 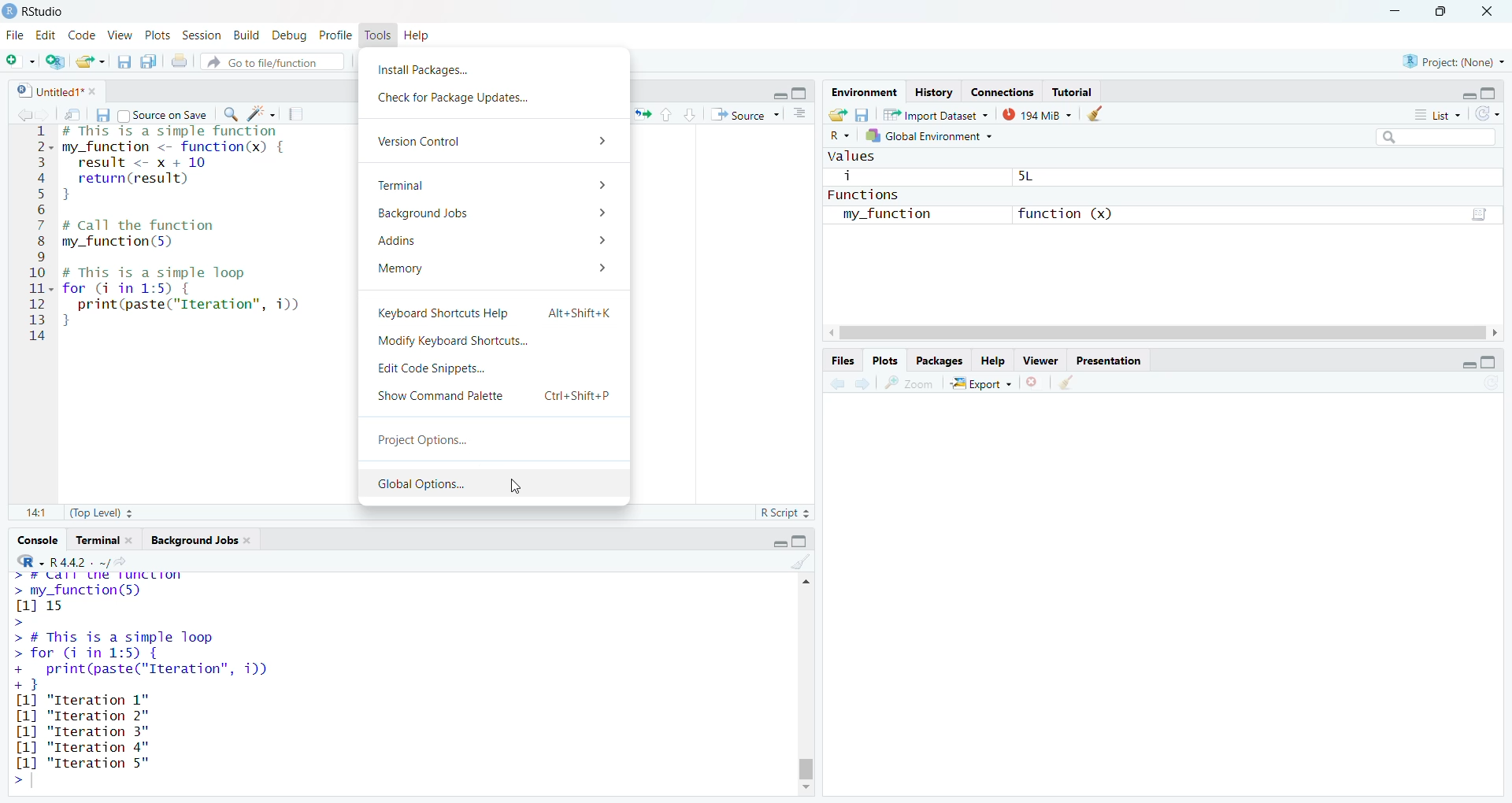 I want to click on typing cursor, so click(x=69, y=339).